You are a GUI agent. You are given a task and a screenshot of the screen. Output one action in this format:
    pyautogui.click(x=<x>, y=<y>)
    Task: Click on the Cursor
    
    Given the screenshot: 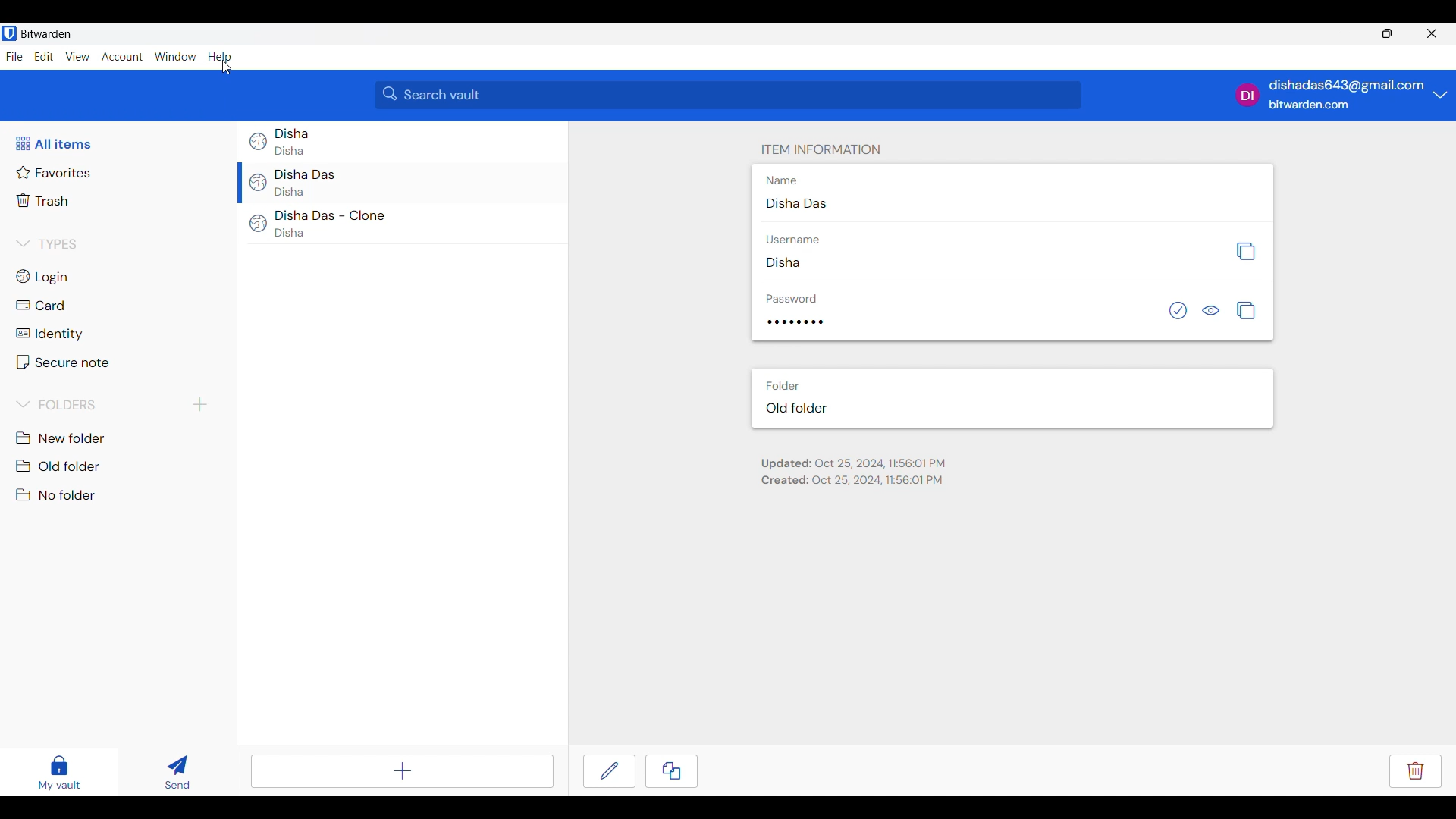 What is the action you would take?
    pyautogui.click(x=227, y=67)
    